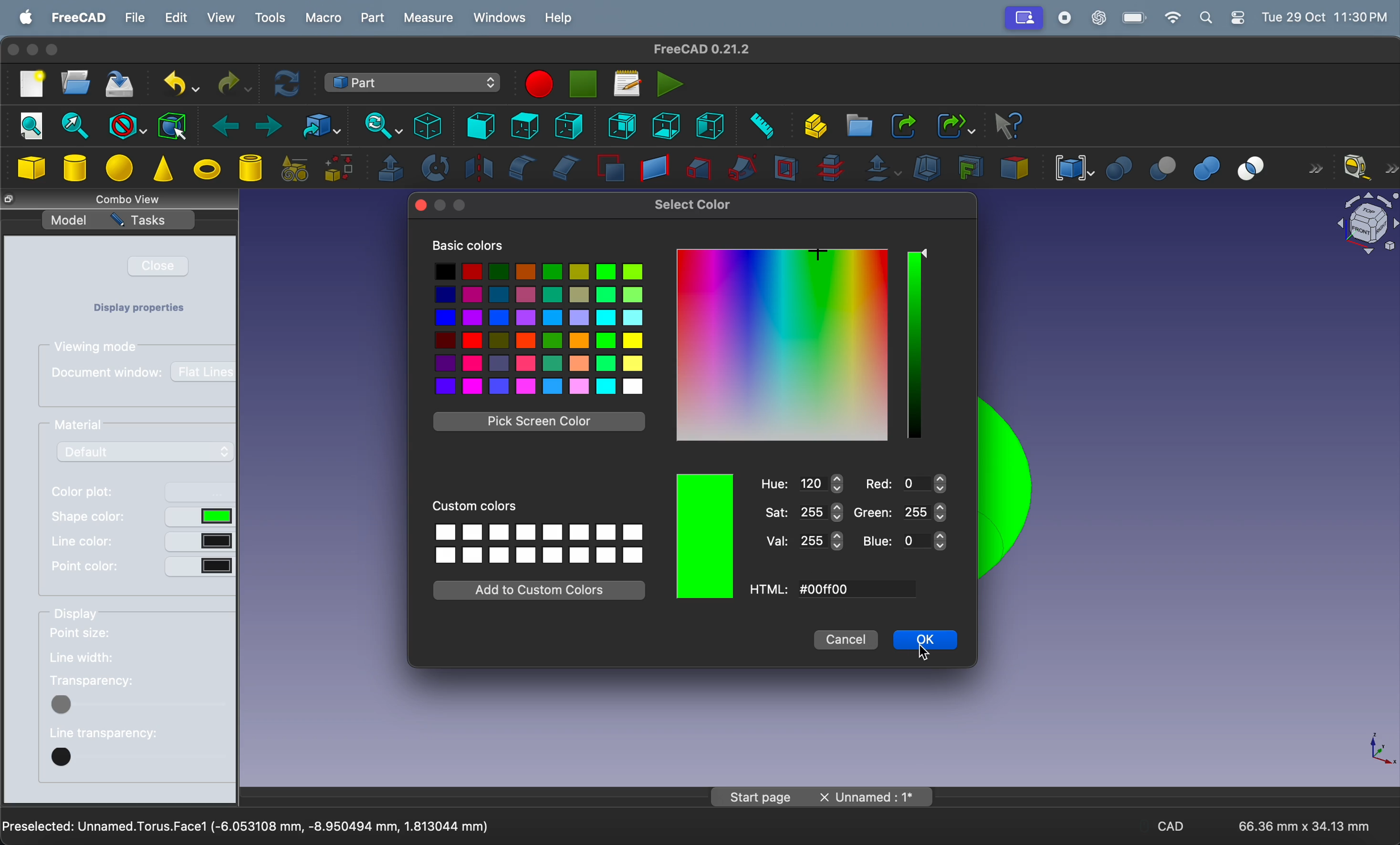 The image size is (1400, 845). Describe the element at coordinates (74, 166) in the screenshot. I see `cylinder` at that location.